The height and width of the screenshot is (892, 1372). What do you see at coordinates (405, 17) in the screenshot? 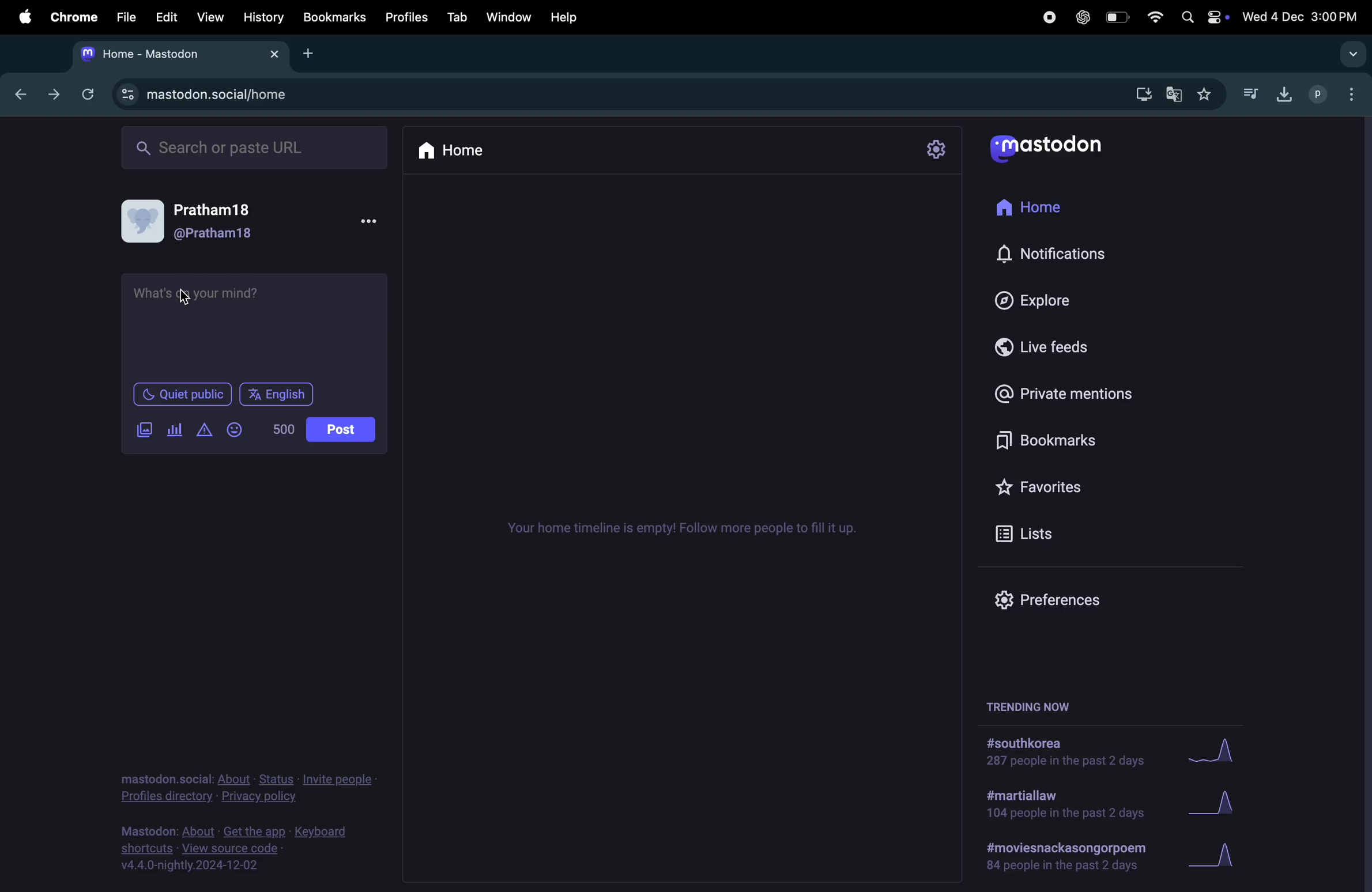
I see `profiles` at bounding box center [405, 17].